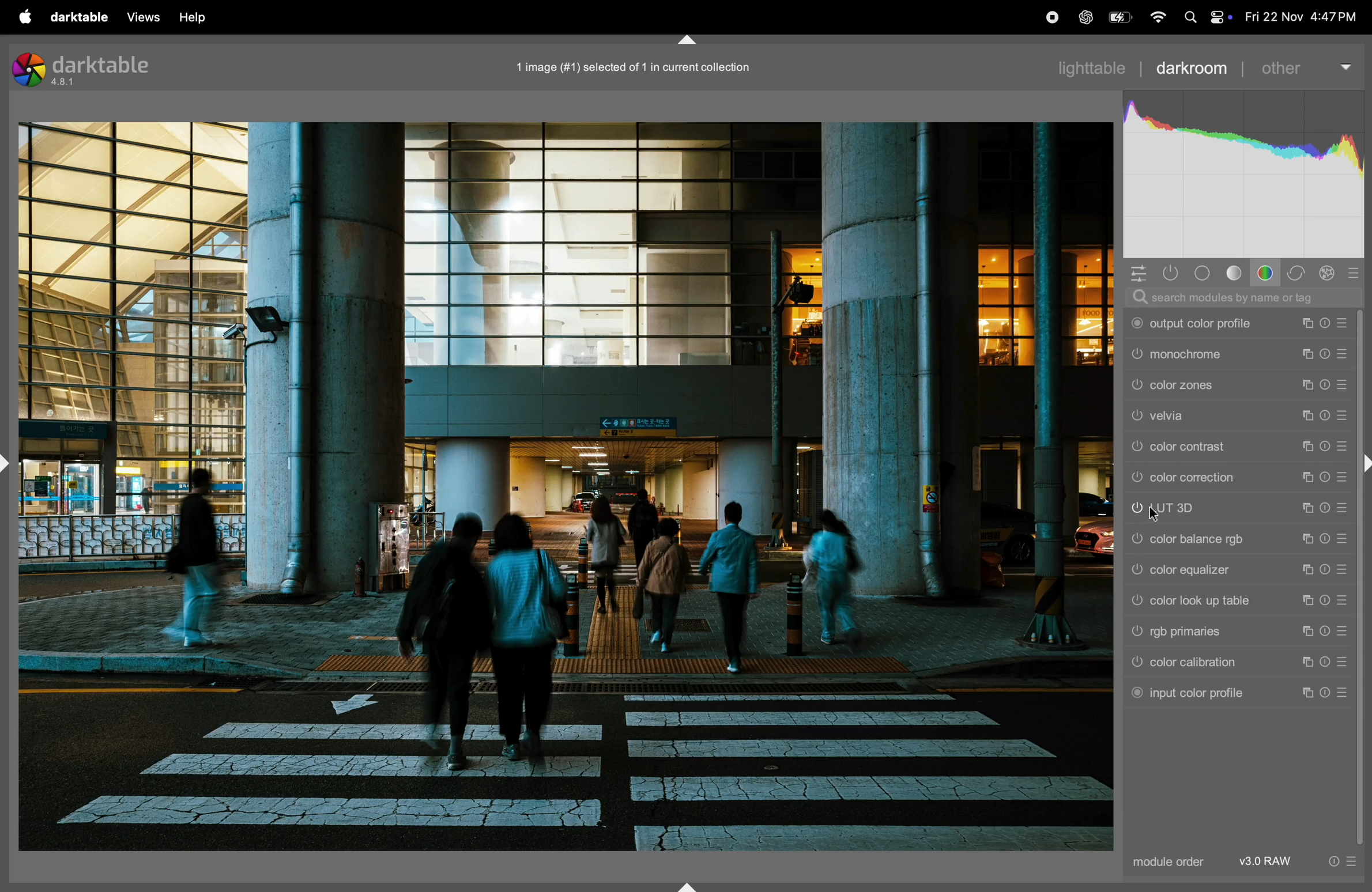 This screenshot has width=1372, height=892. I want to click on reset, so click(1325, 354).